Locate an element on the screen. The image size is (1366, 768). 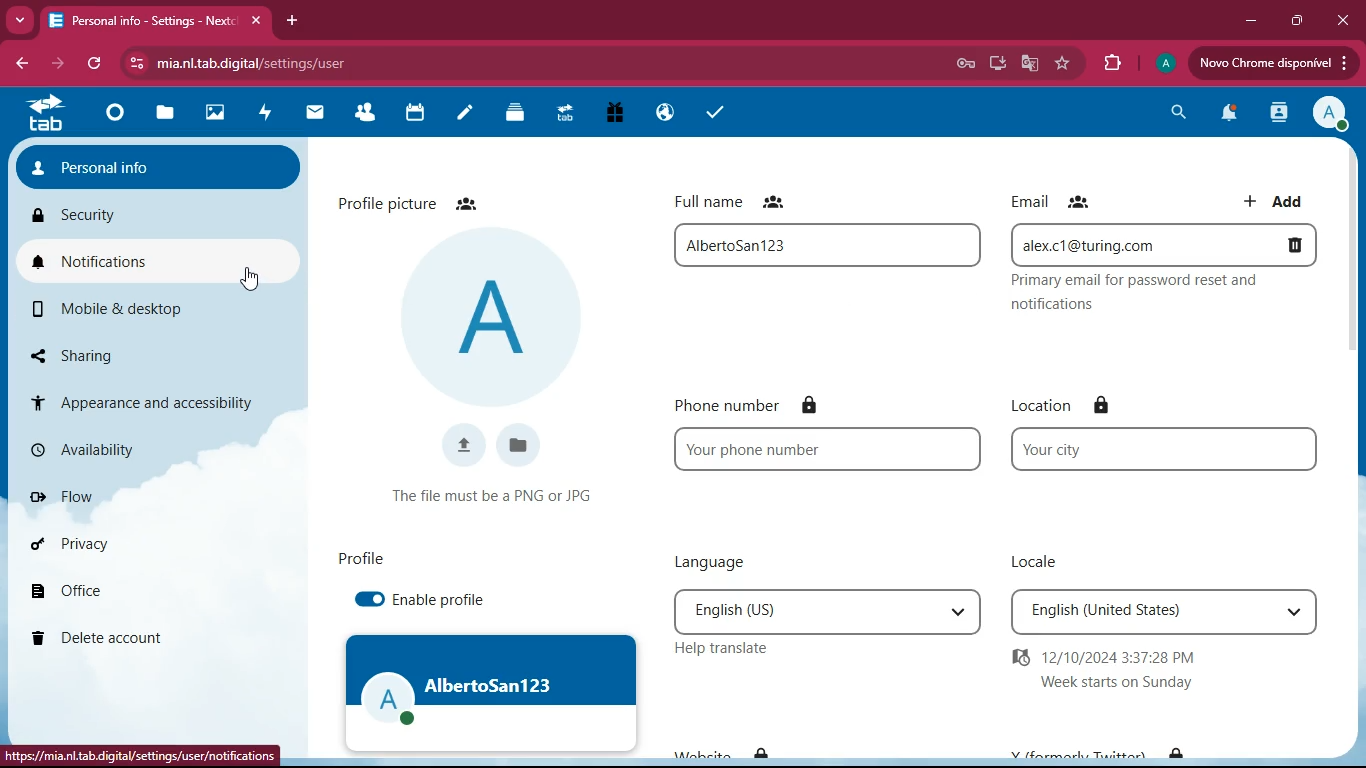
profile picture is located at coordinates (421, 202).